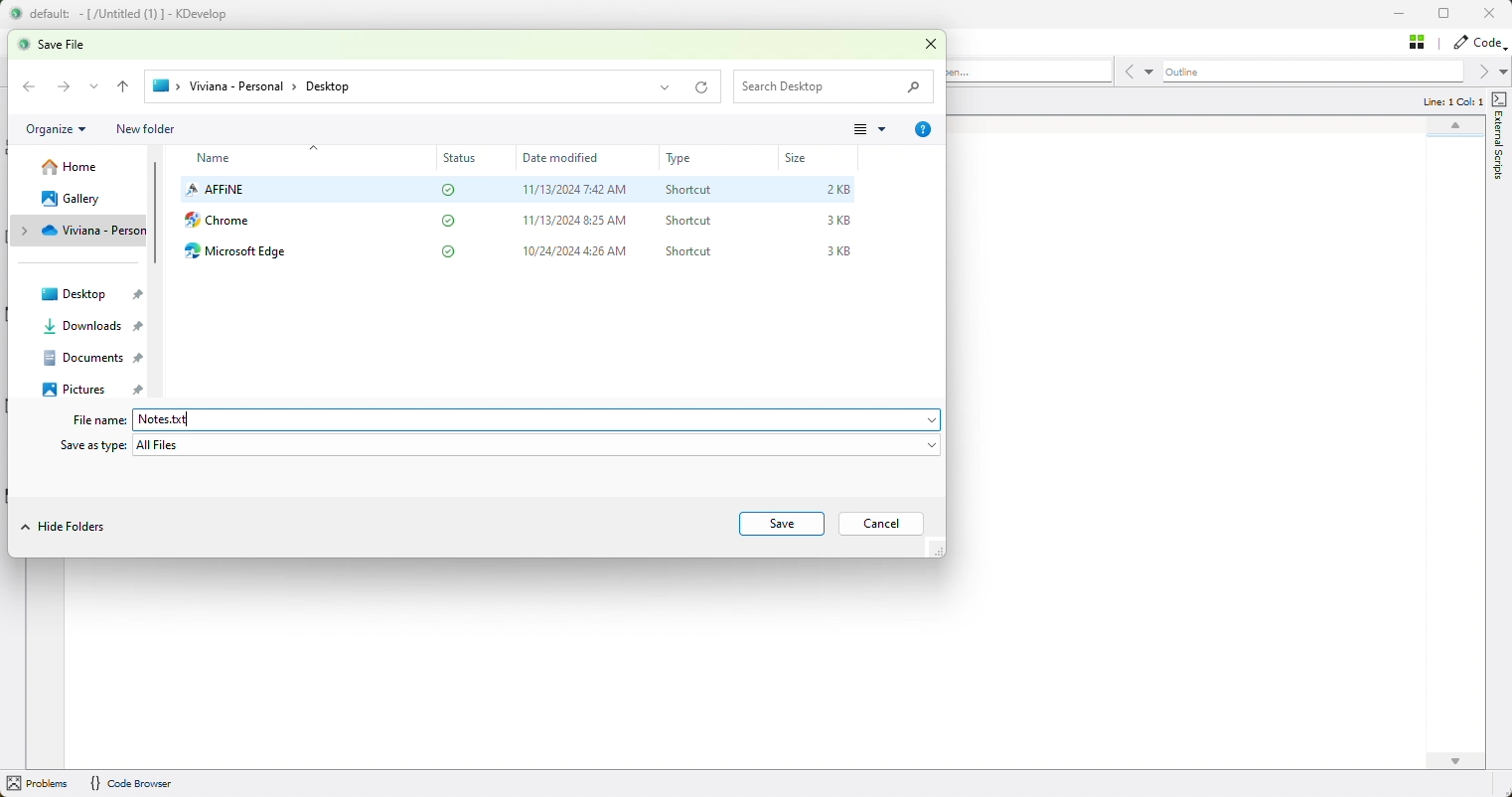 This screenshot has width=1512, height=797. I want to click on affine, so click(217, 191).